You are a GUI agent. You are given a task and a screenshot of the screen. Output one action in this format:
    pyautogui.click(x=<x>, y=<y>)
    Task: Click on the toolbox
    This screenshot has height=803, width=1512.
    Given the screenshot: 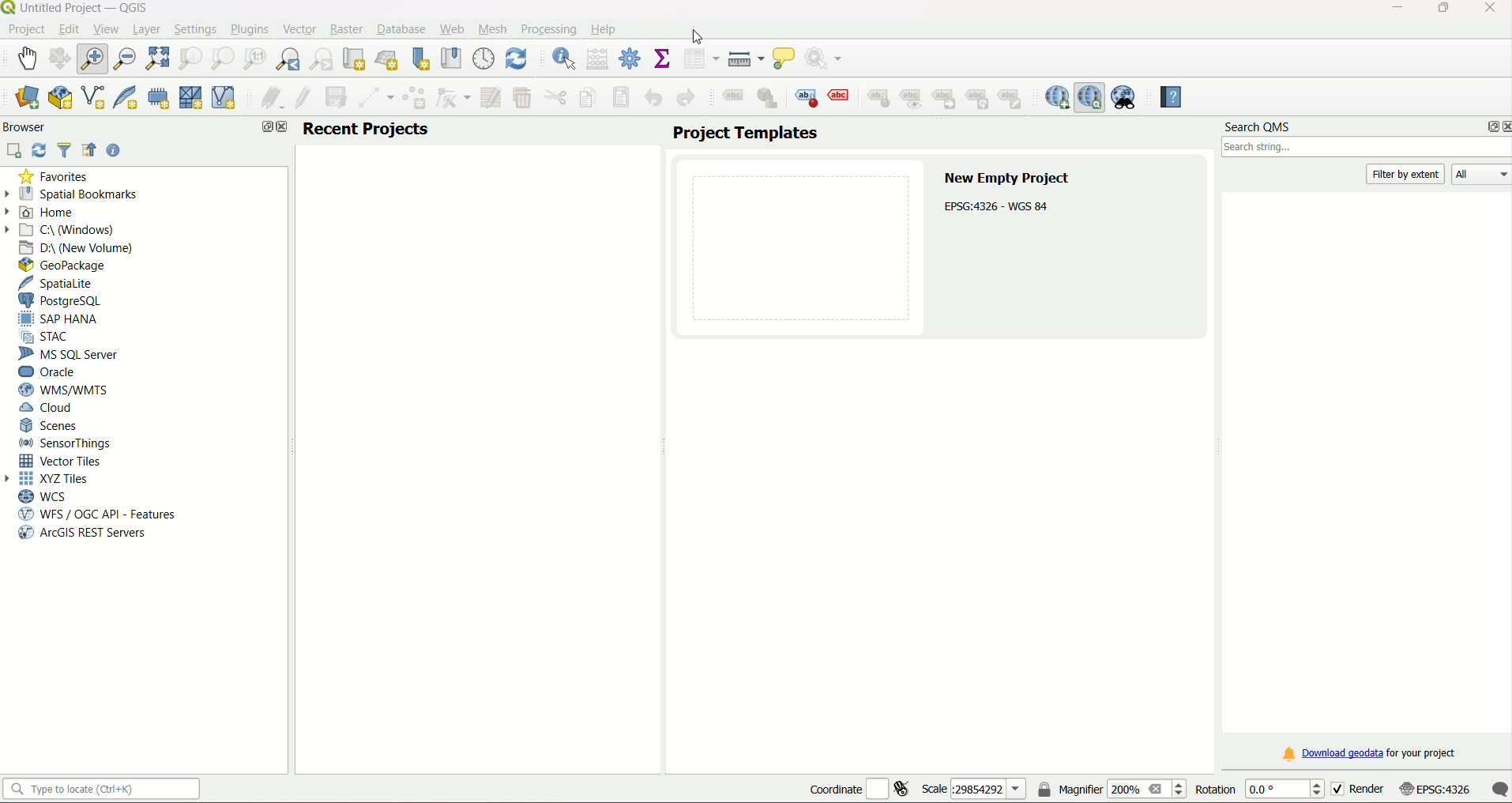 What is the action you would take?
    pyautogui.click(x=631, y=59)
    